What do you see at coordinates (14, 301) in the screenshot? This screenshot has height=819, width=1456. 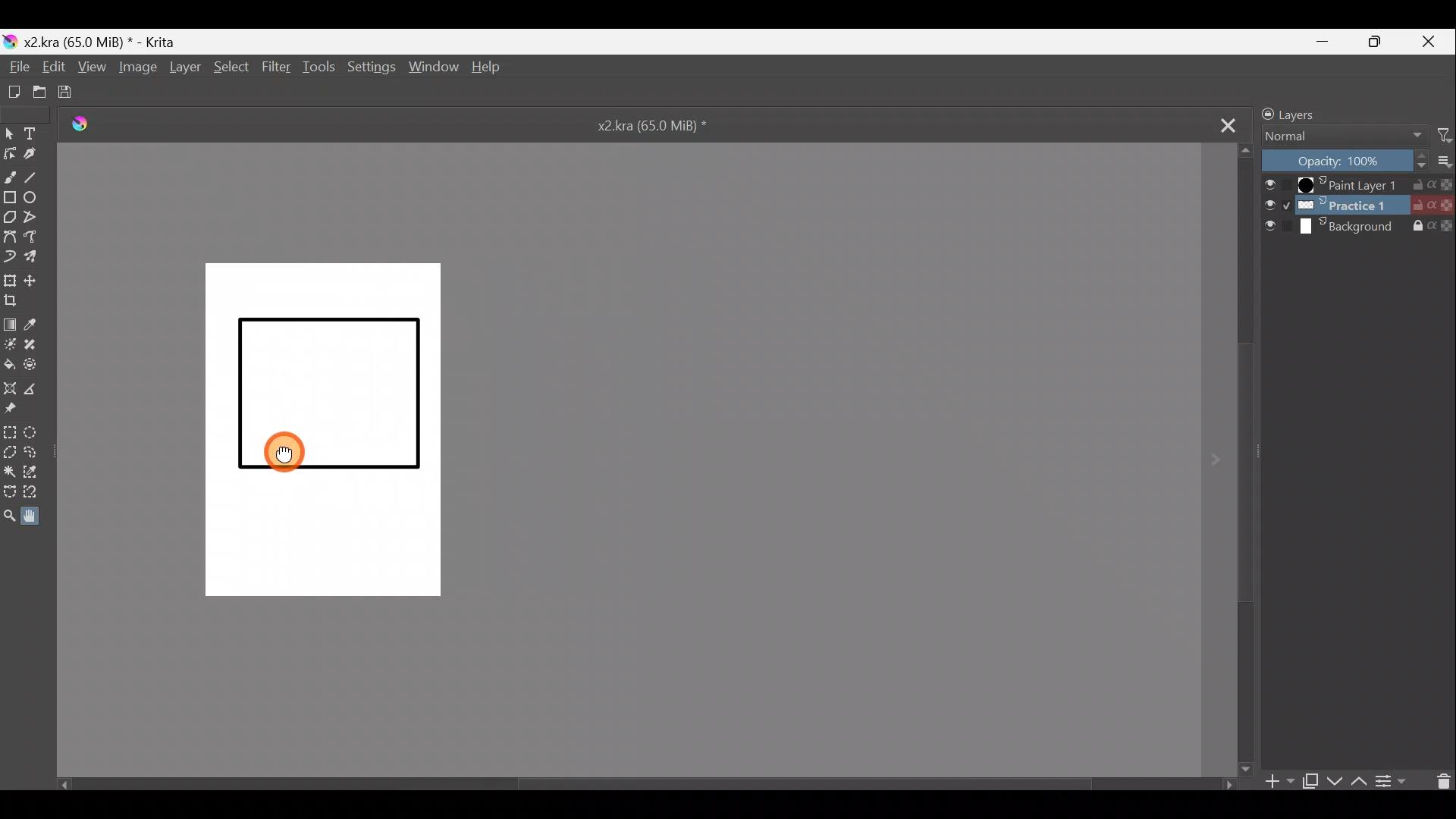 I see `Crop image to an area` at bounding box center [14, 301].